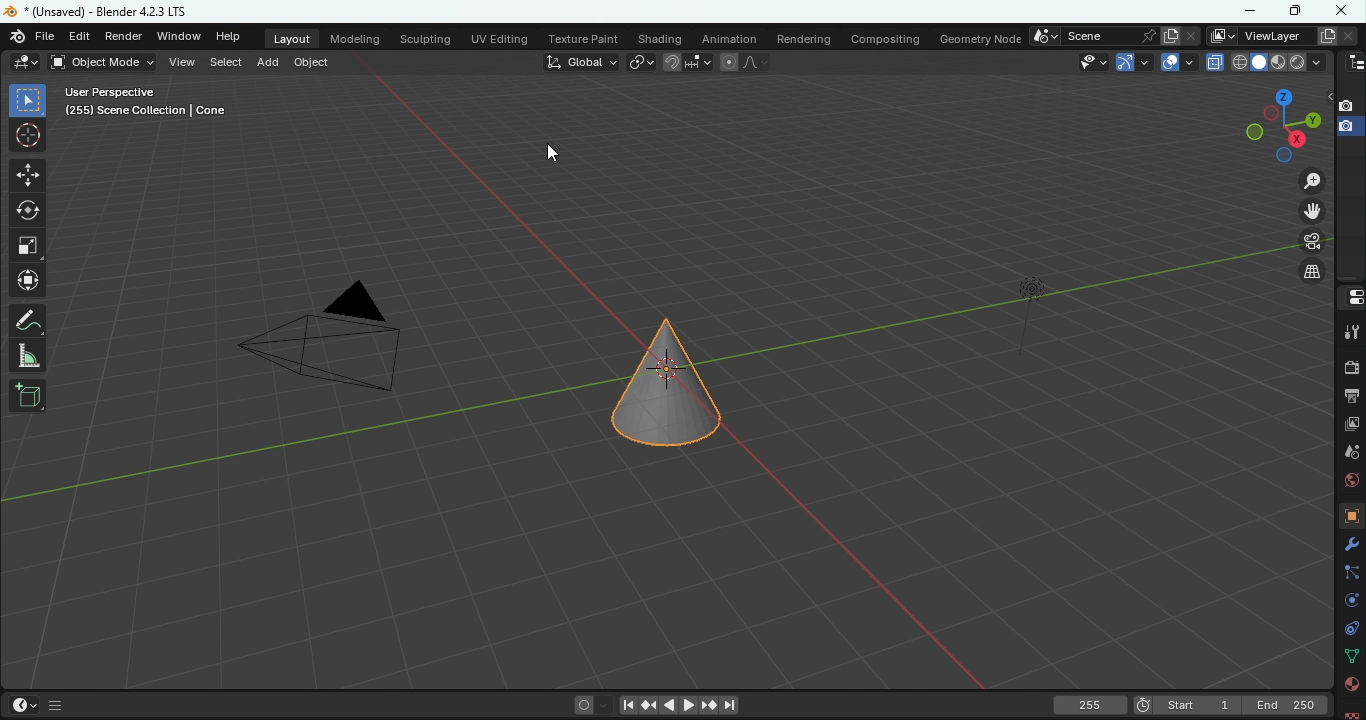  Describe the element at coordinates (25, 62) in the screenshot. I see `Editor type` at that location.